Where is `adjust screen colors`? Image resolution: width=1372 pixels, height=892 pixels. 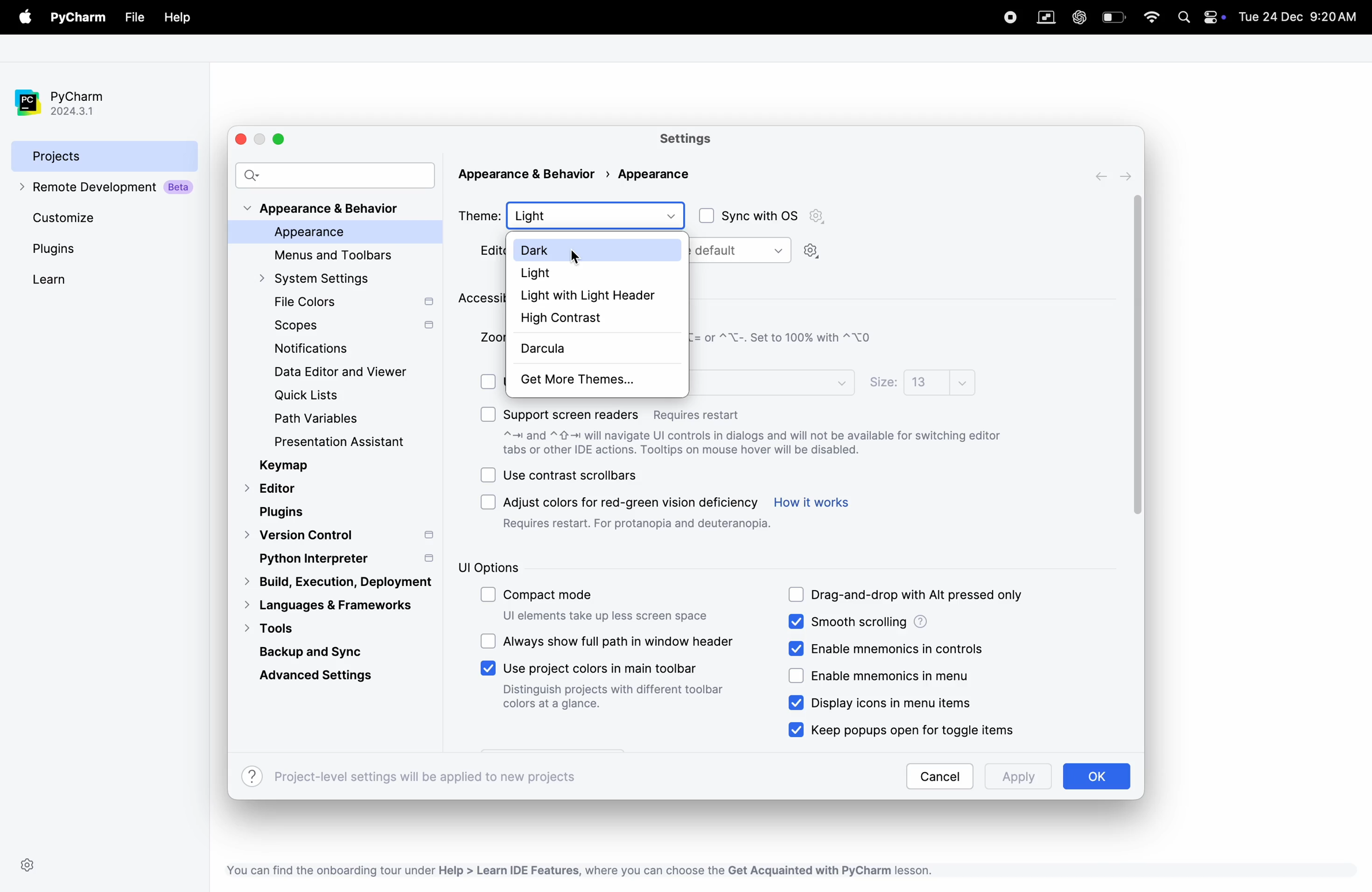 adjust screen colors is located at coordinates (638, 512).